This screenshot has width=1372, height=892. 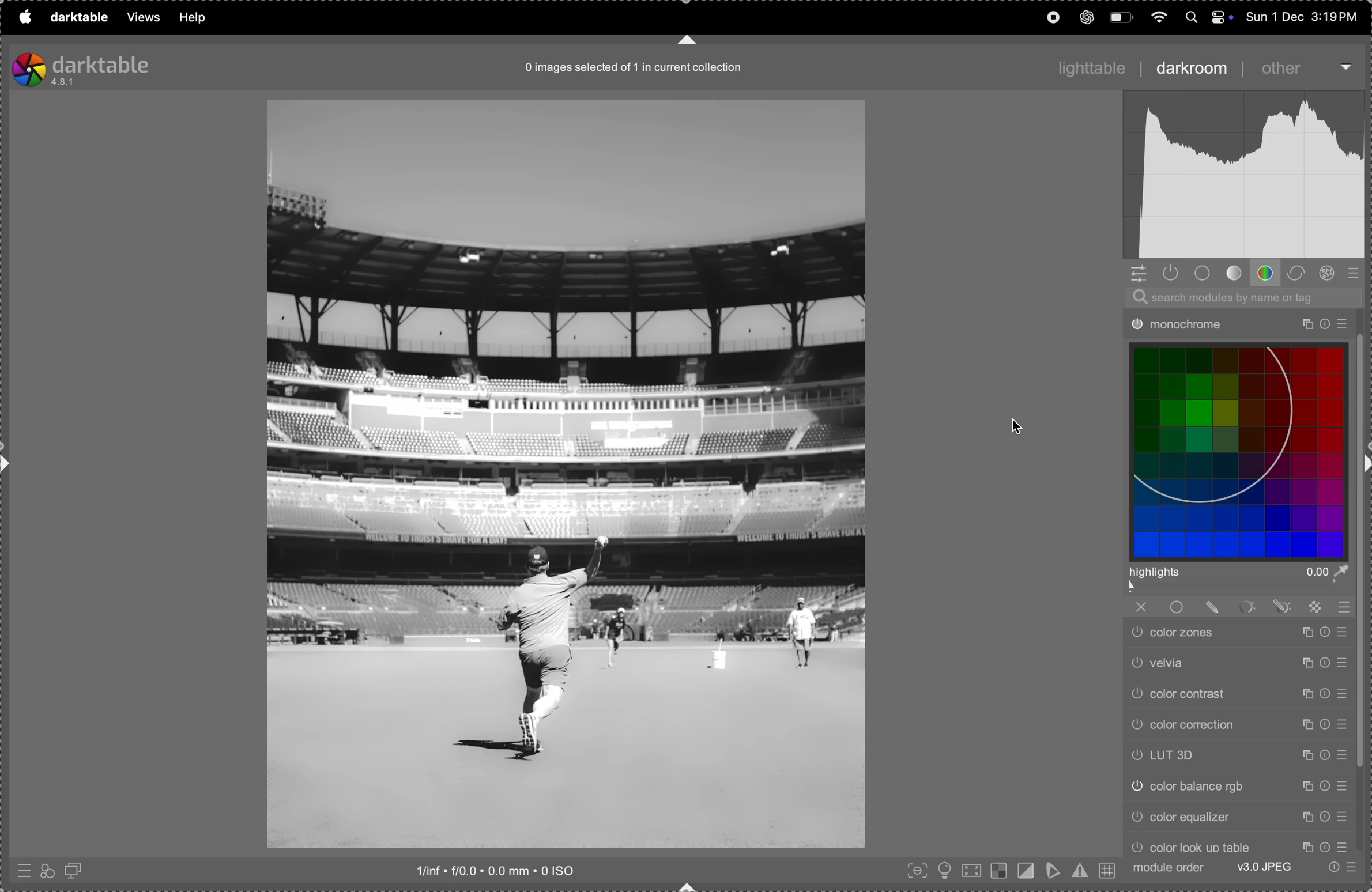 What do you see at coordinates (1168, 867) in the screenshot?
I see `module order` at bounding box center [1168, 867].